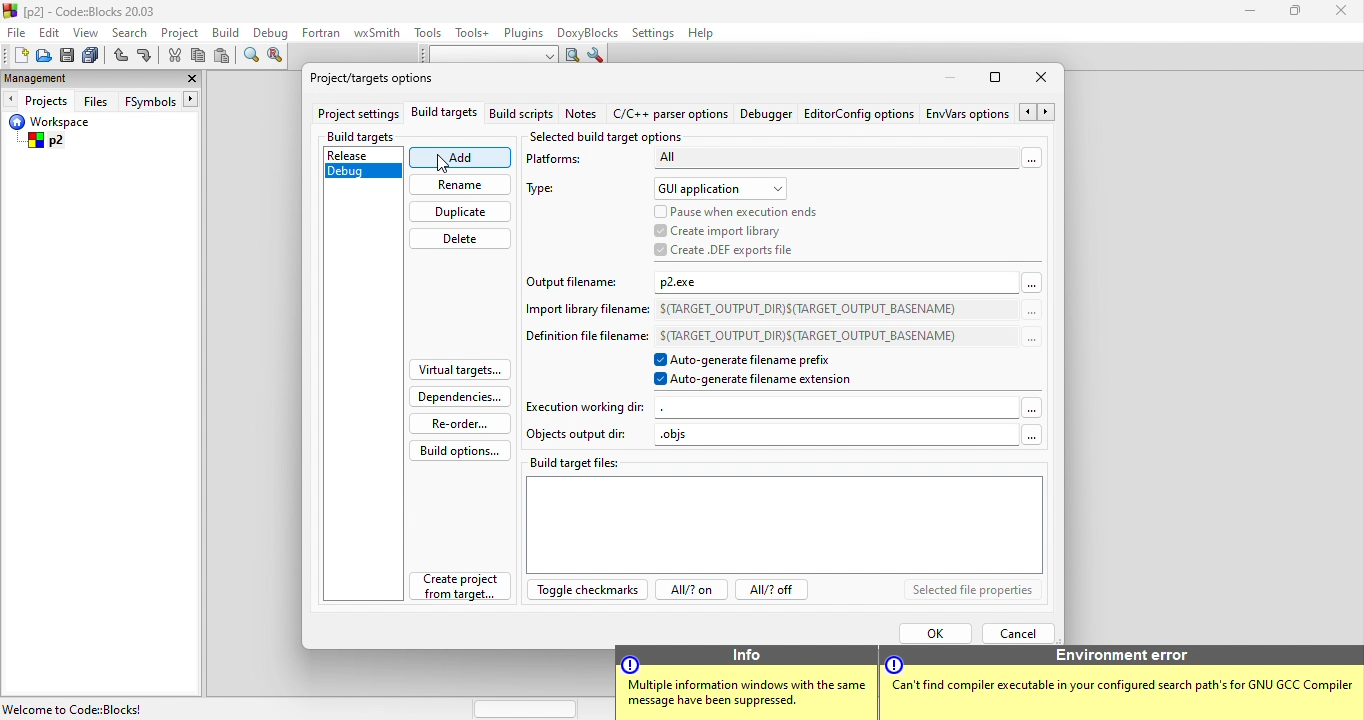 This screenshot has width=1364, height=720. What do you see at coordinates (932, 629) in the screenshot?
I see `ok` at bounding box center [932, 629].